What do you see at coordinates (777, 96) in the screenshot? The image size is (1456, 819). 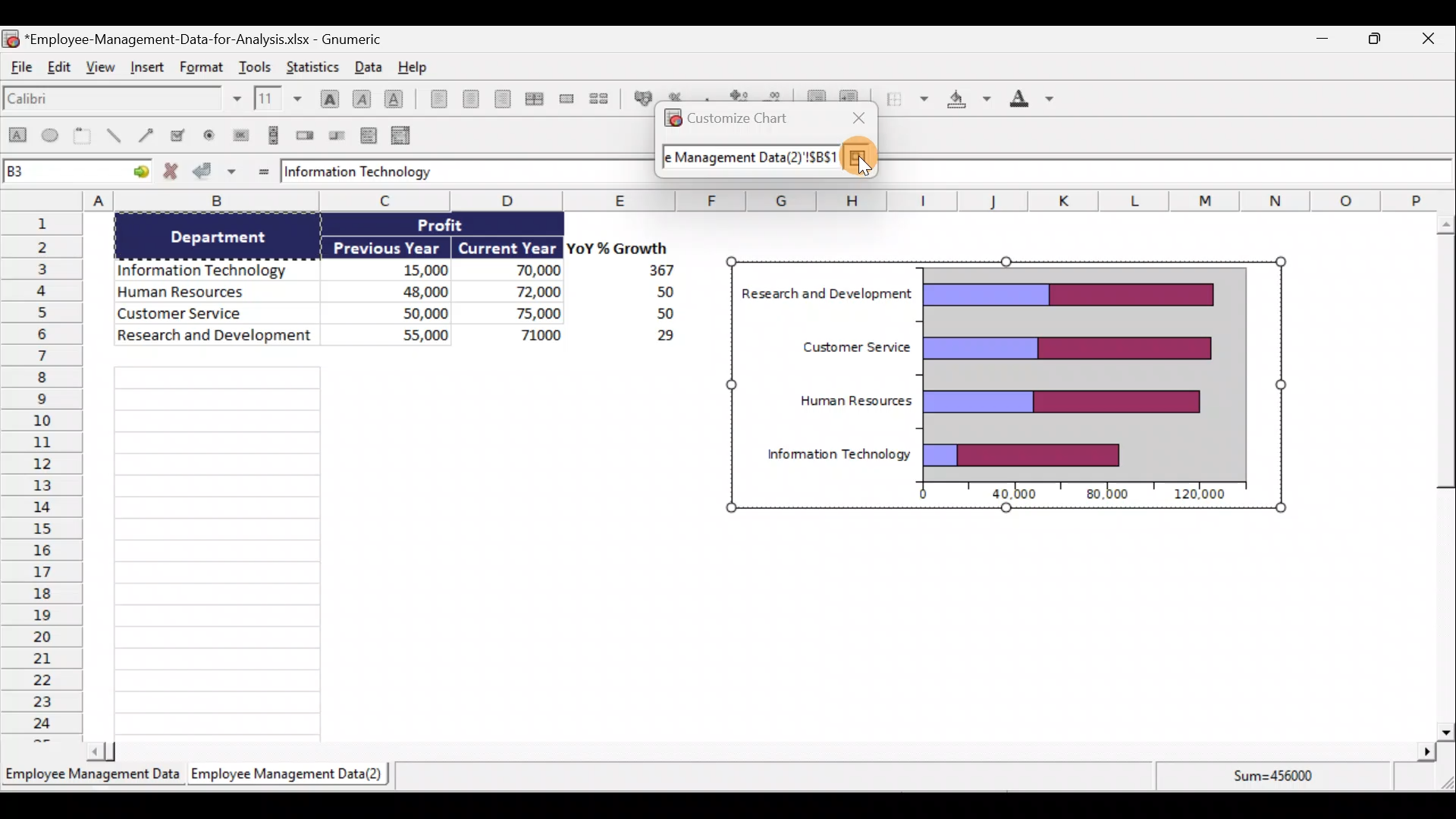 I see `Decrease decimals` at bounding box center [777, 96].